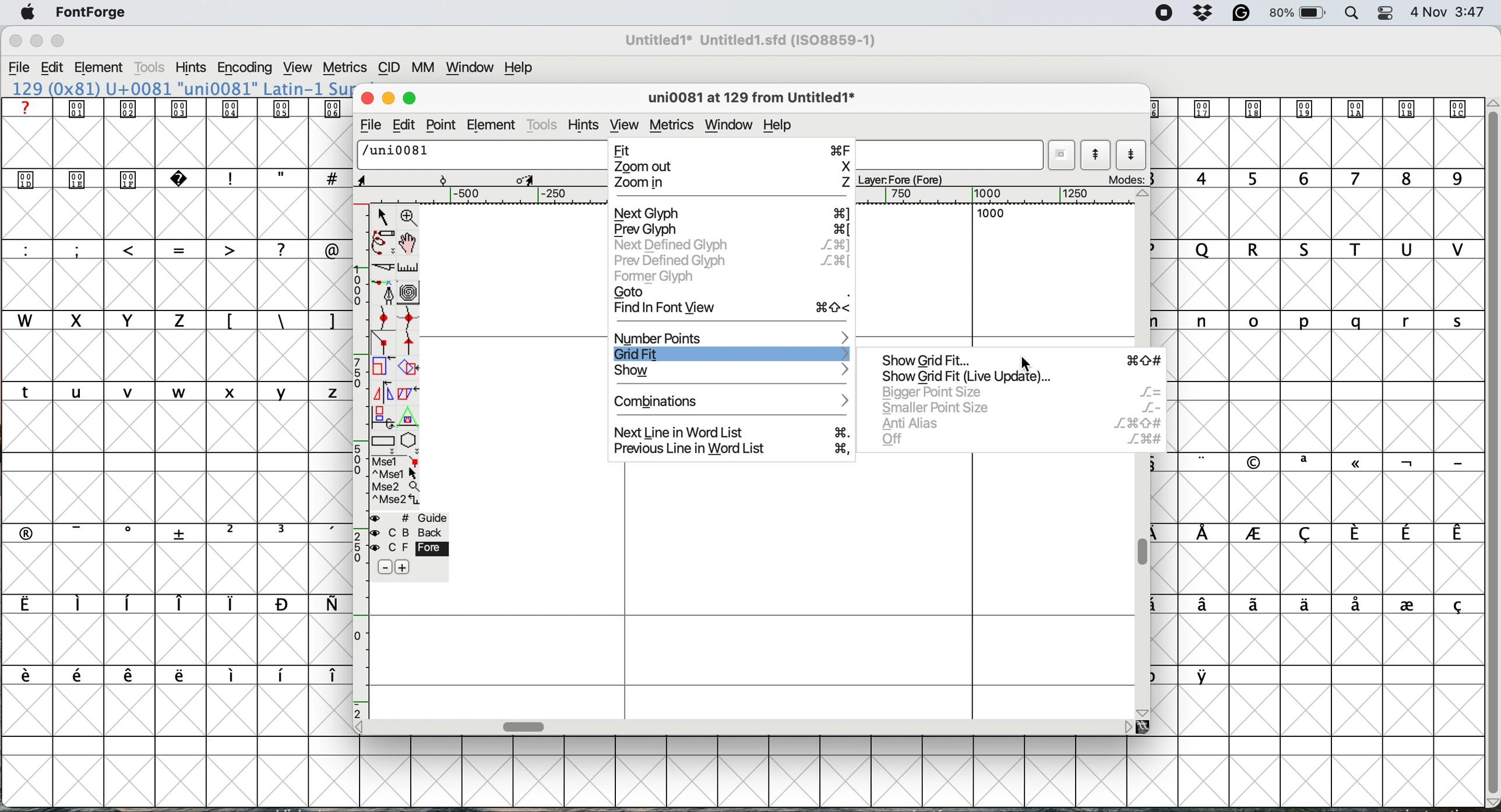 Image resolution: width=1501 pixels, height=812 pixels. What do you see at coordinates (656, 277) in the screenshot?
I see `former glyph` at bounding box center [656, 277].